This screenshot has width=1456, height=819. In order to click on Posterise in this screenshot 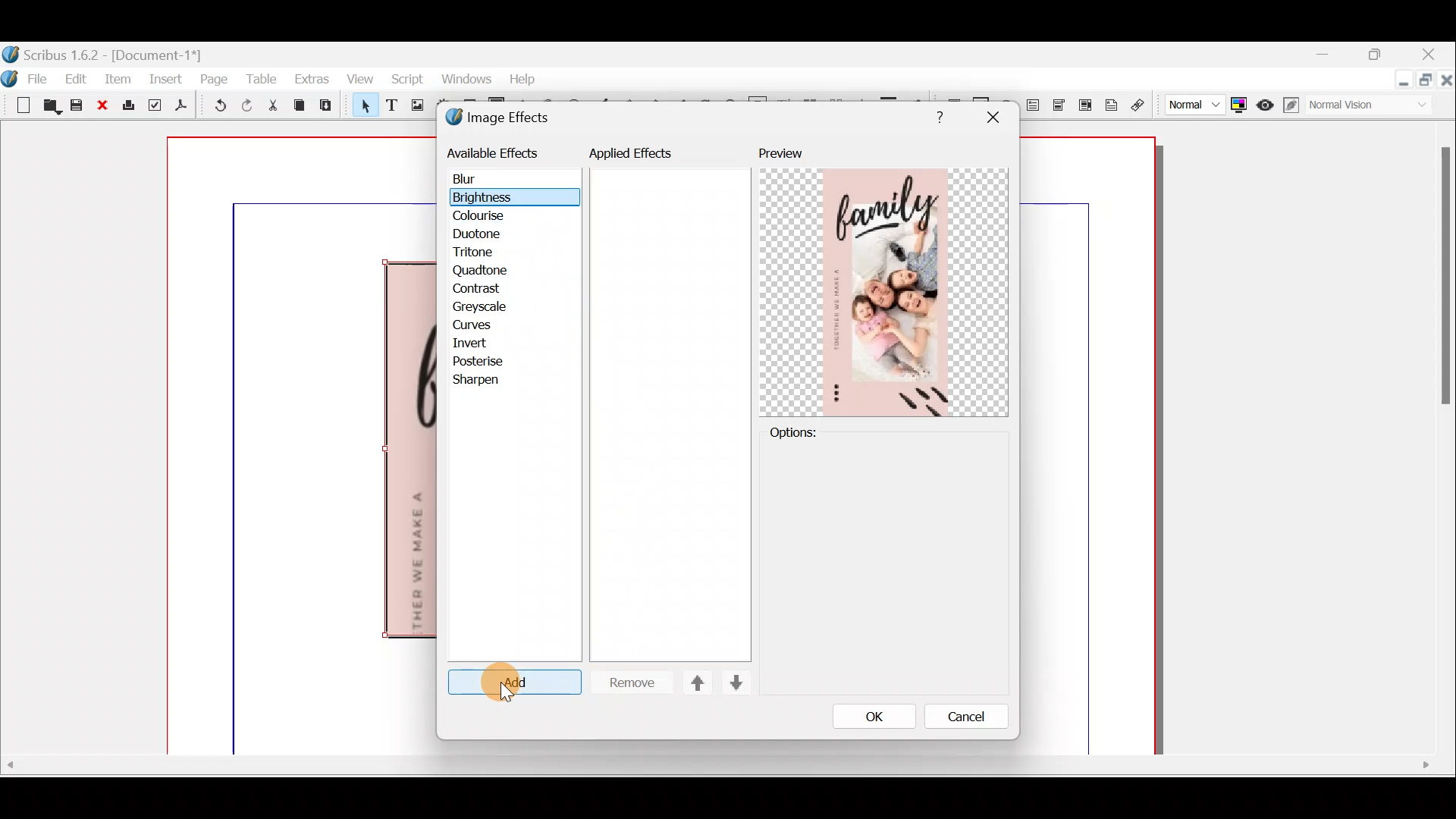, I will do `click(488, 362)`.